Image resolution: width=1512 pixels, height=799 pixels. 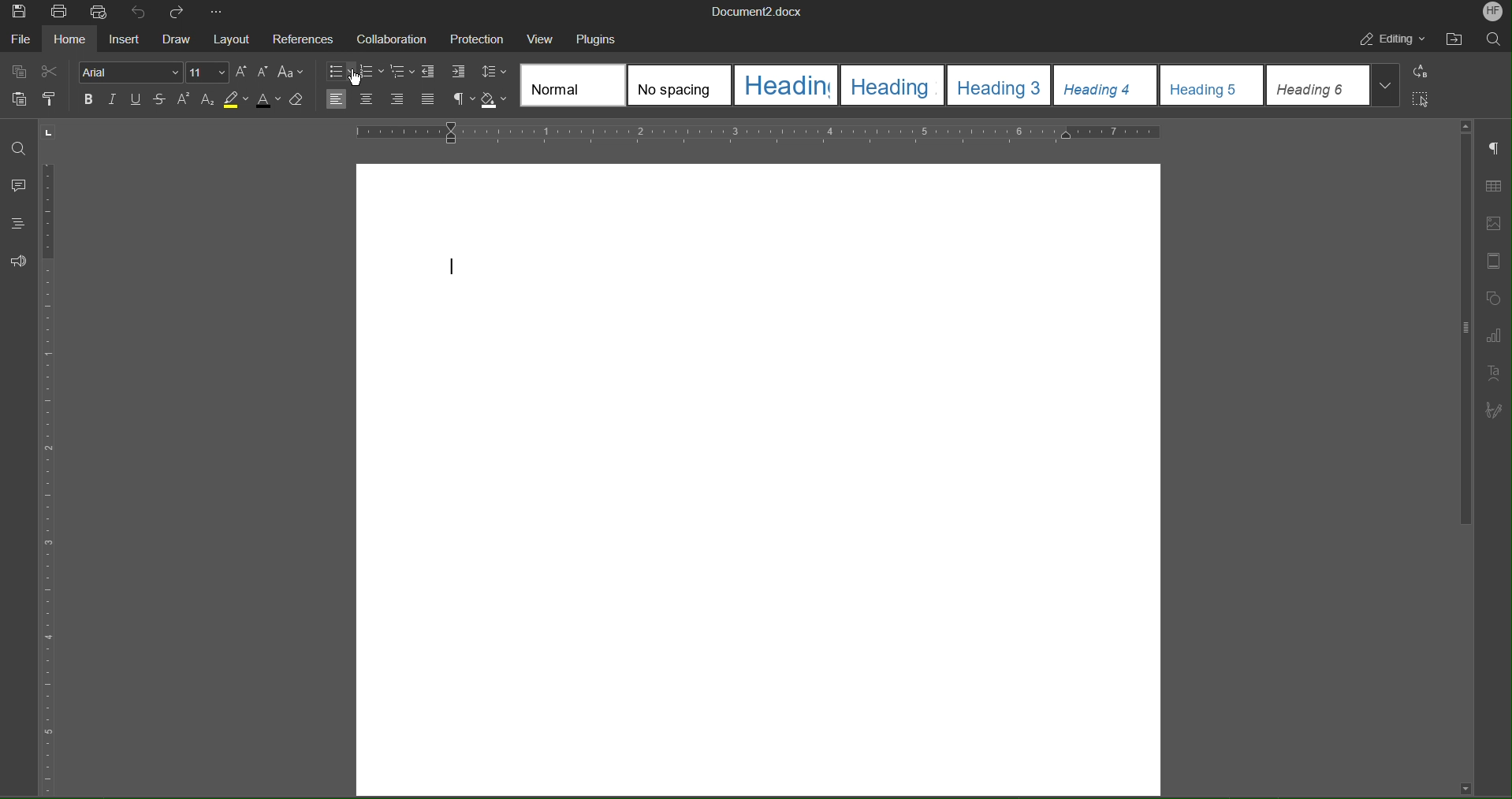 I want to click on Font Case, so click(x=296, y=69).